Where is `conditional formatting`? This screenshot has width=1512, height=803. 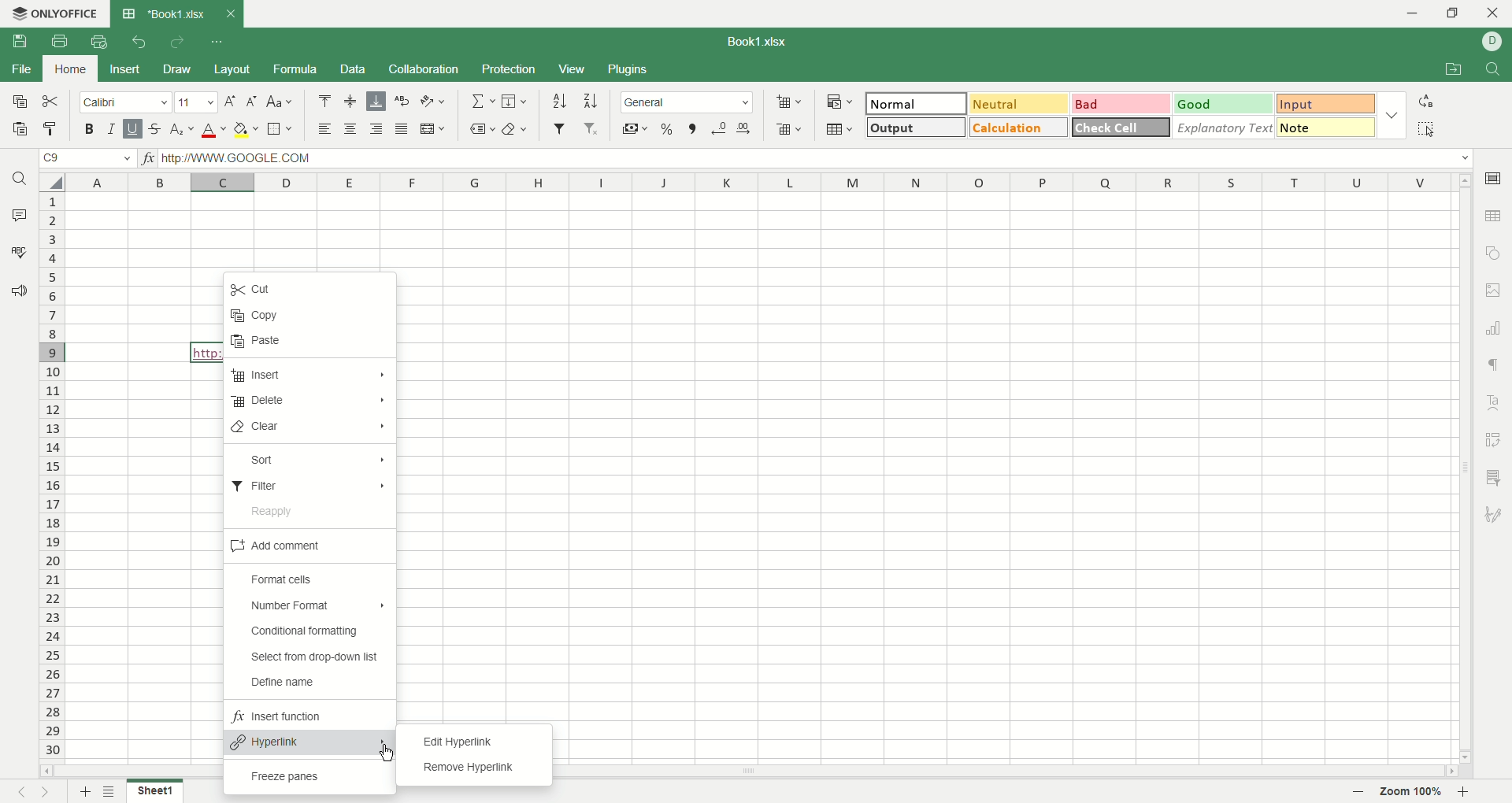
conditional formatting is located at coordinates (840, 101).